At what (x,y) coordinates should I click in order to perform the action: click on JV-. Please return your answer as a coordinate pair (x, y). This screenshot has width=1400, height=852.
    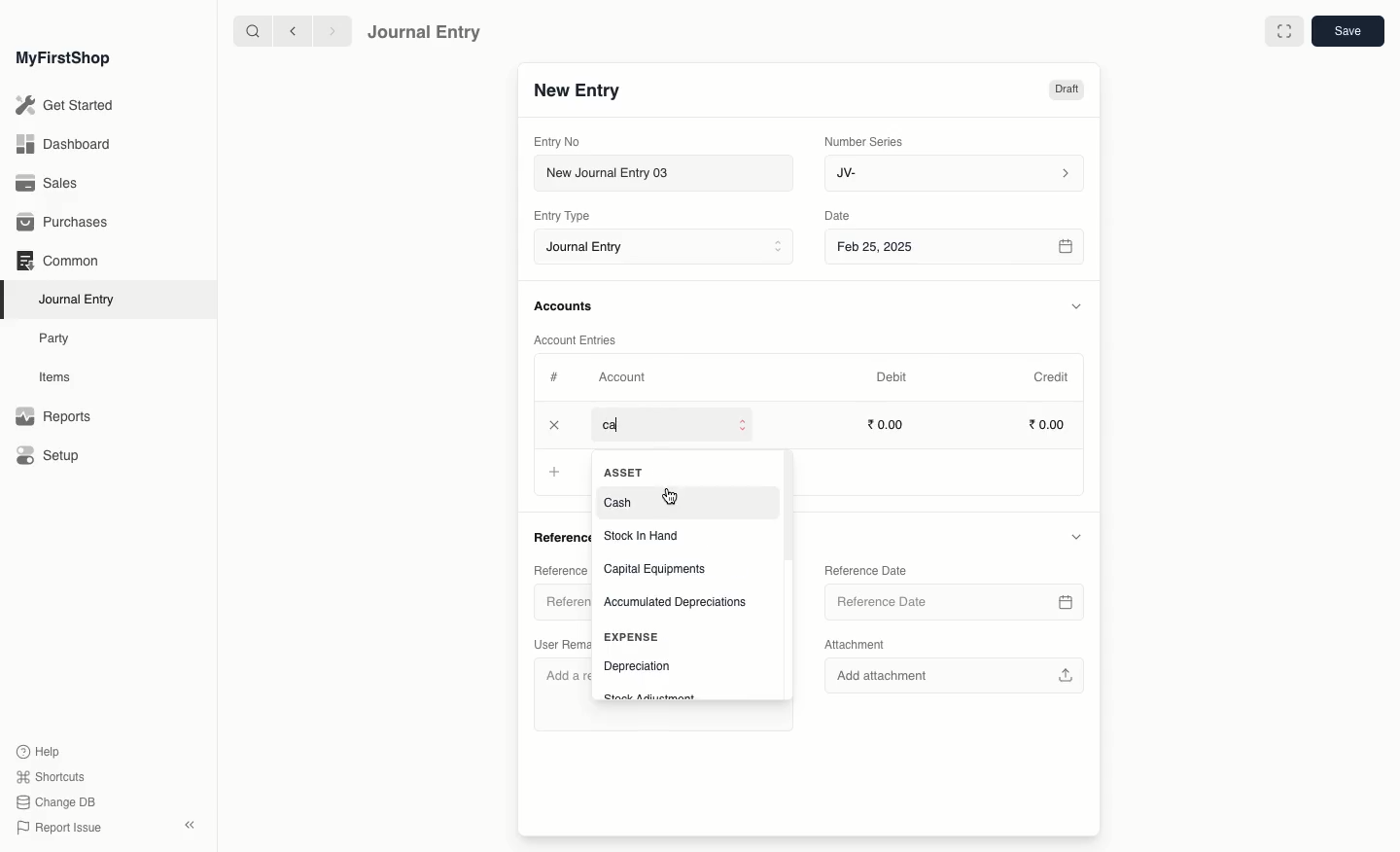
    Looking at the image, I should click on (952, 173).